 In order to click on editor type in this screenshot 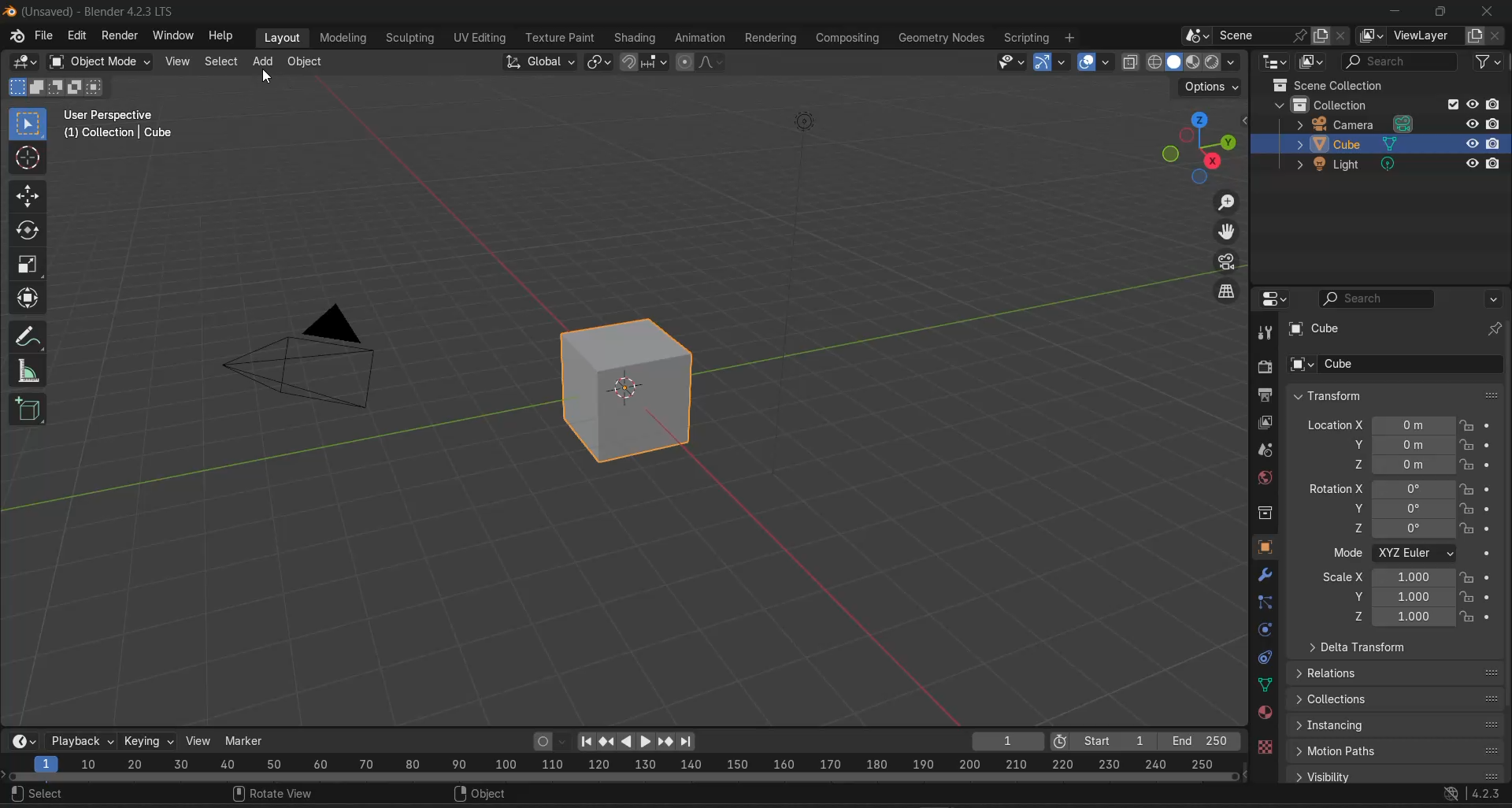, I will do `click(1276, 298)`.